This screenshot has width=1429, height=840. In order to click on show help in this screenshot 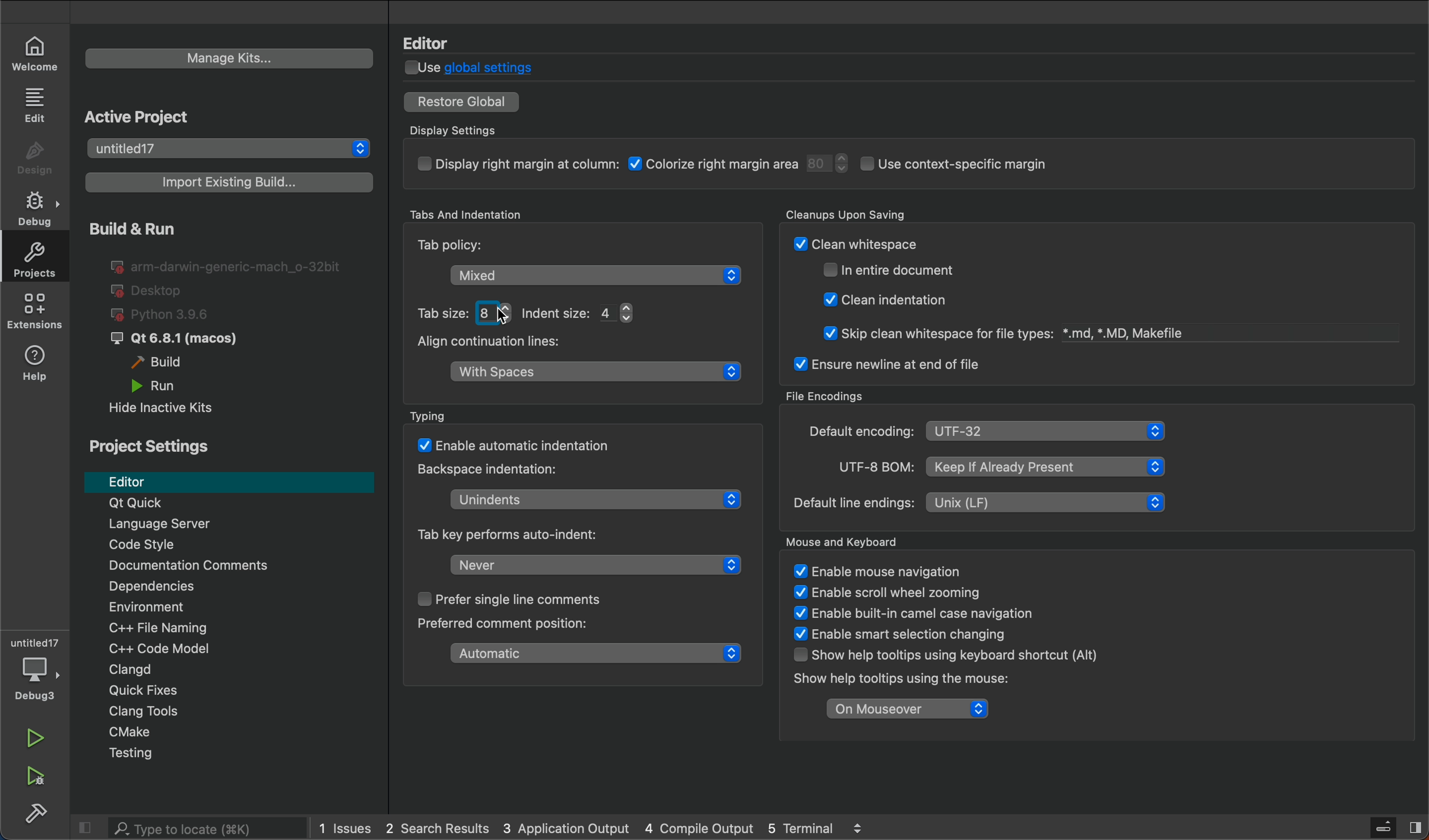, I will do `click(941, 655)`.